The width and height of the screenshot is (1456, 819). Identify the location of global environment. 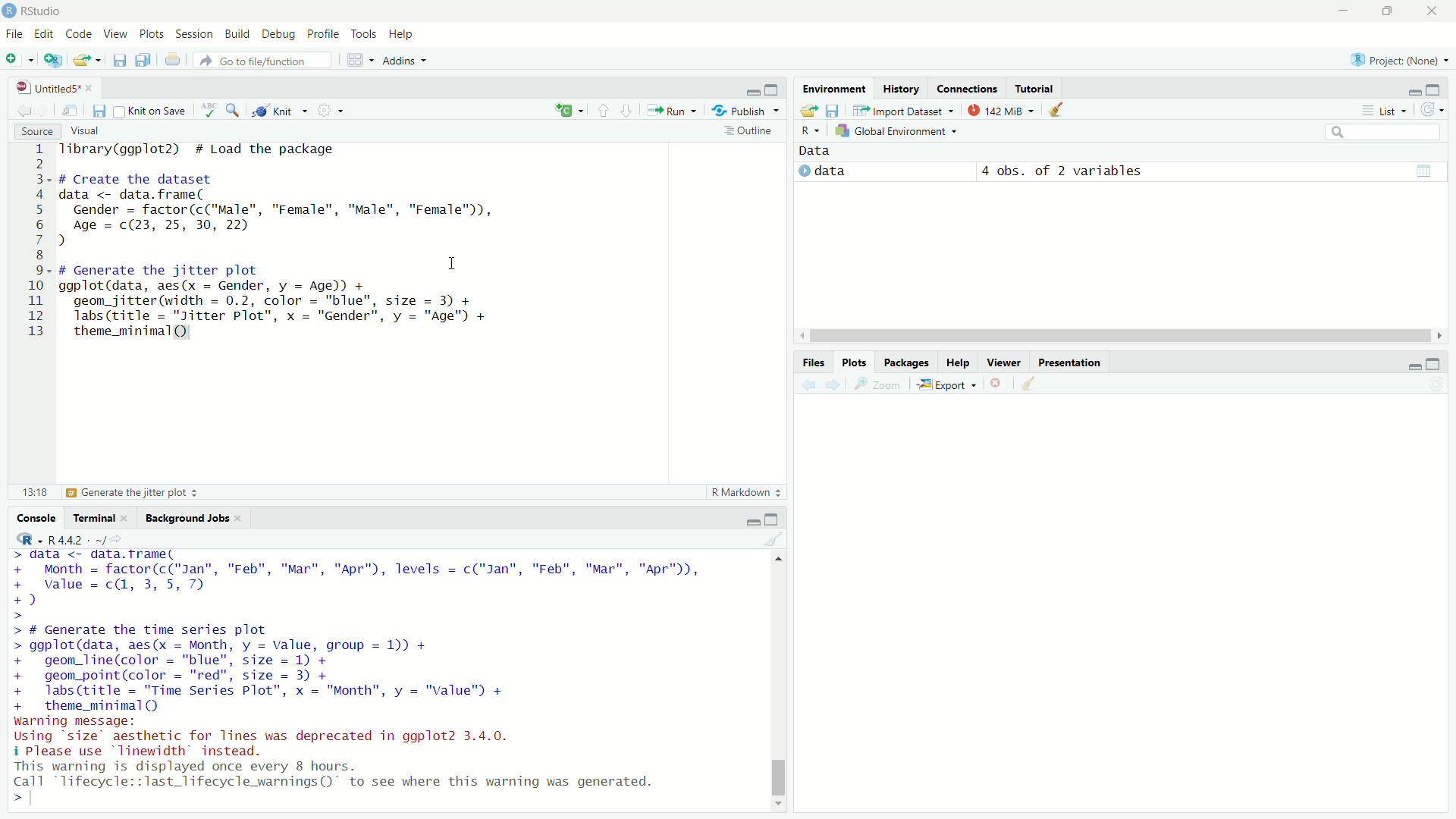
(899, 132).